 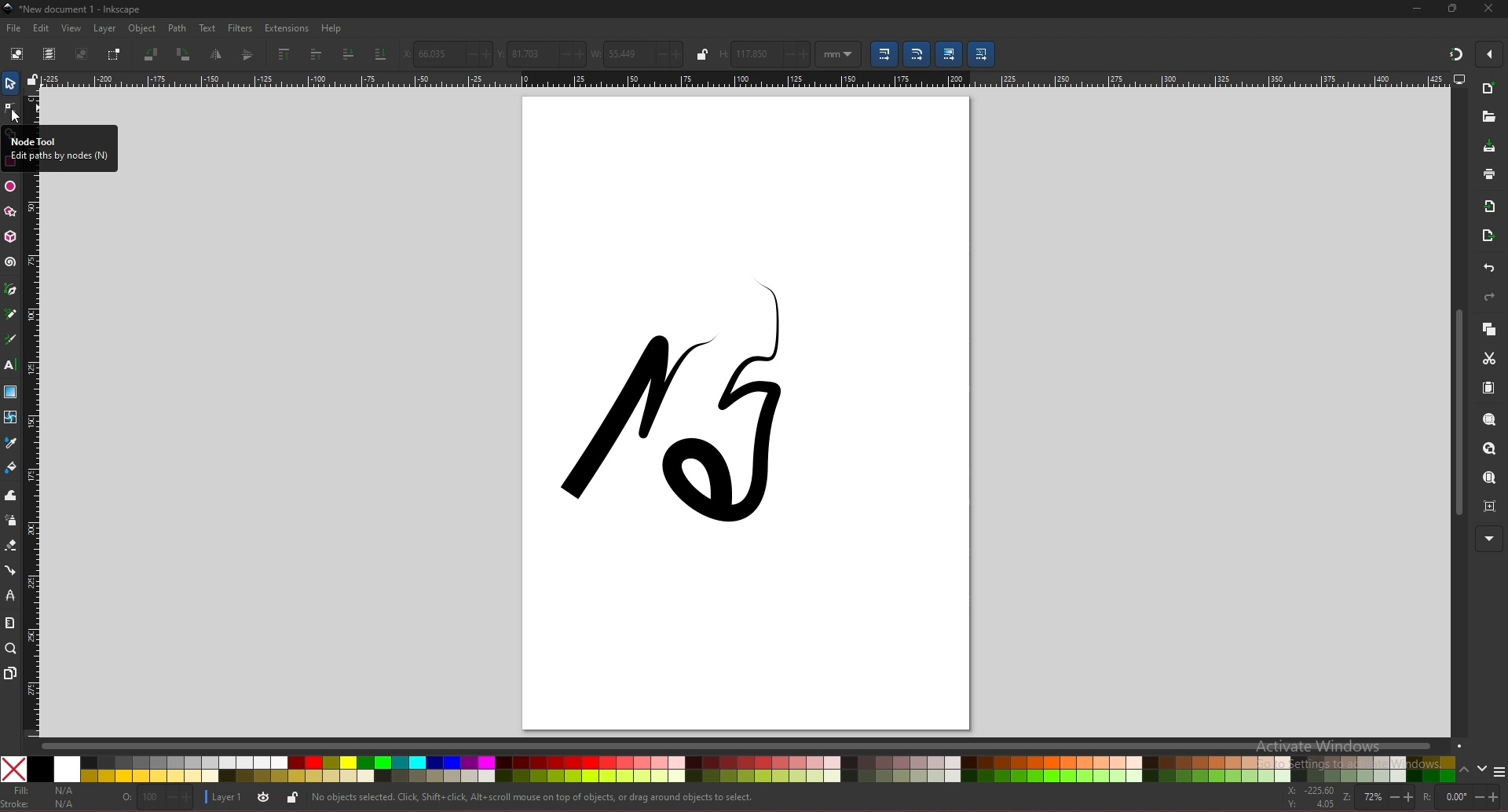 I want to click on x and y coordinates, so click(x=1311, y=797).